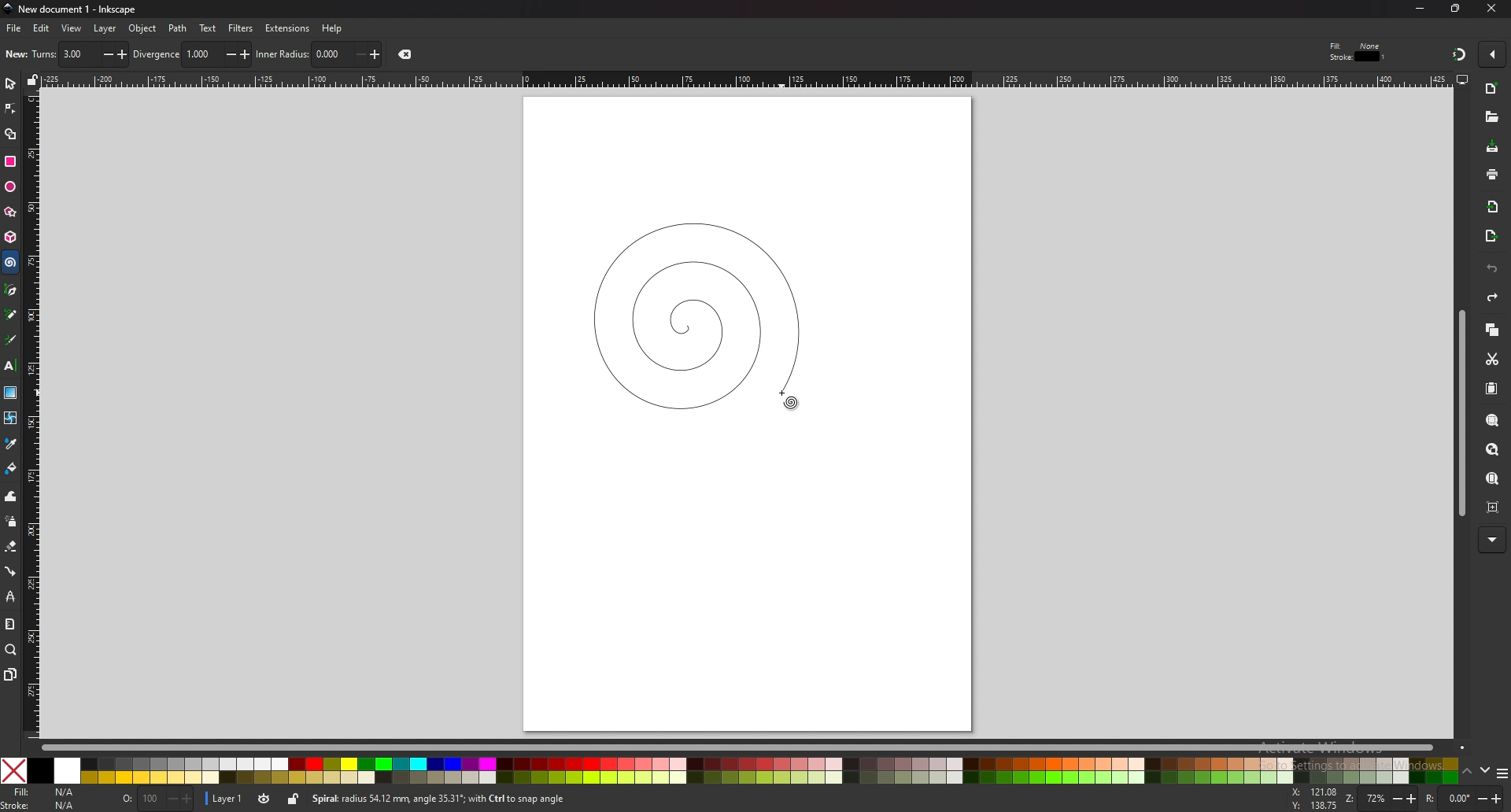 This screenshot has height=812, width=1511. I want to click on Stroke: 1, so click(1358, 57).